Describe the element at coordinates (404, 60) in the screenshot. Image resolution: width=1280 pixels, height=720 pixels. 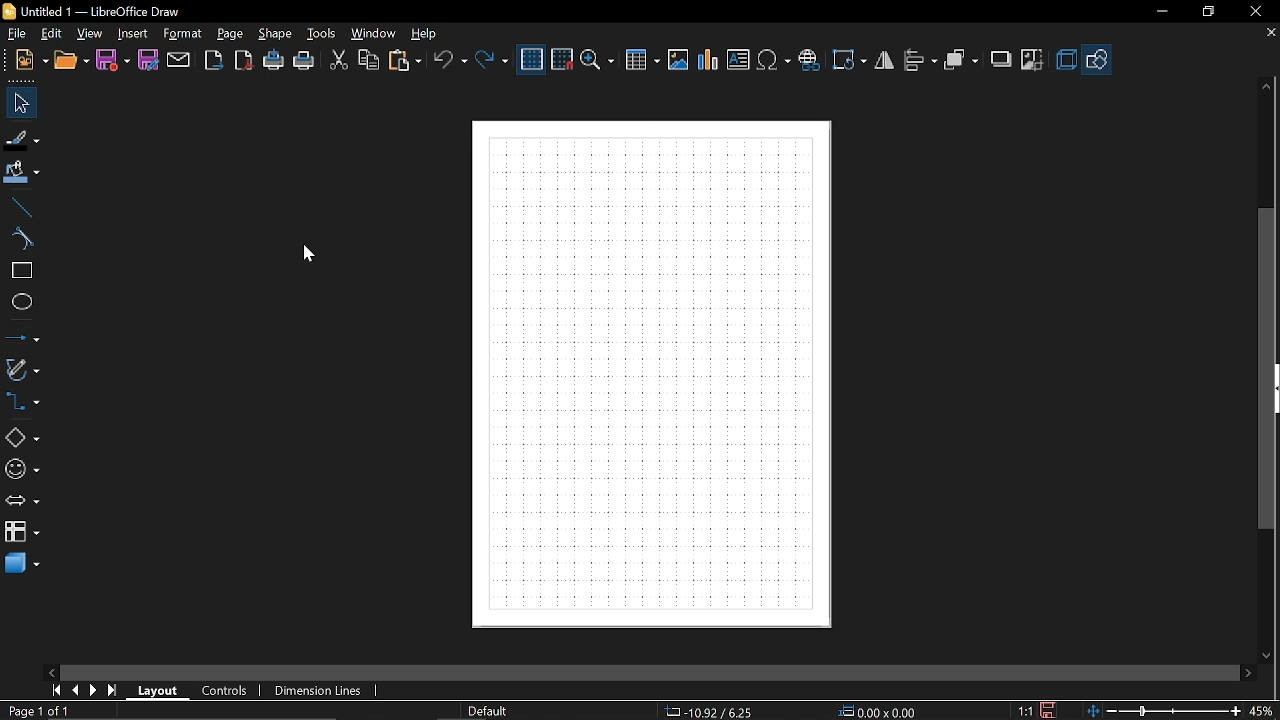
I see `paste` at that location.